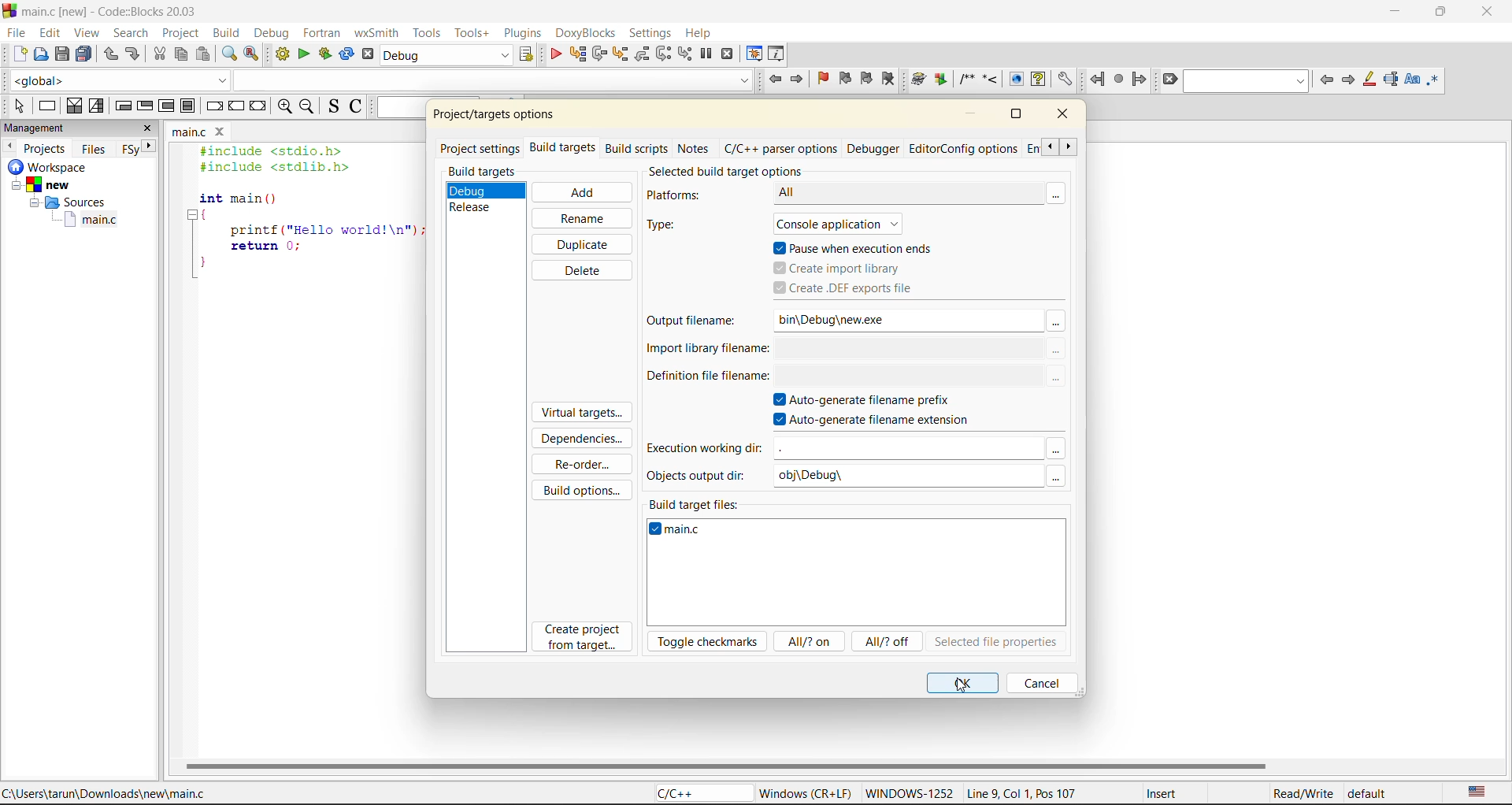  What do you see at coordinates (1302, 794) in the screenshot?
I see `Read/Write` at bounding box center [1302, 794].